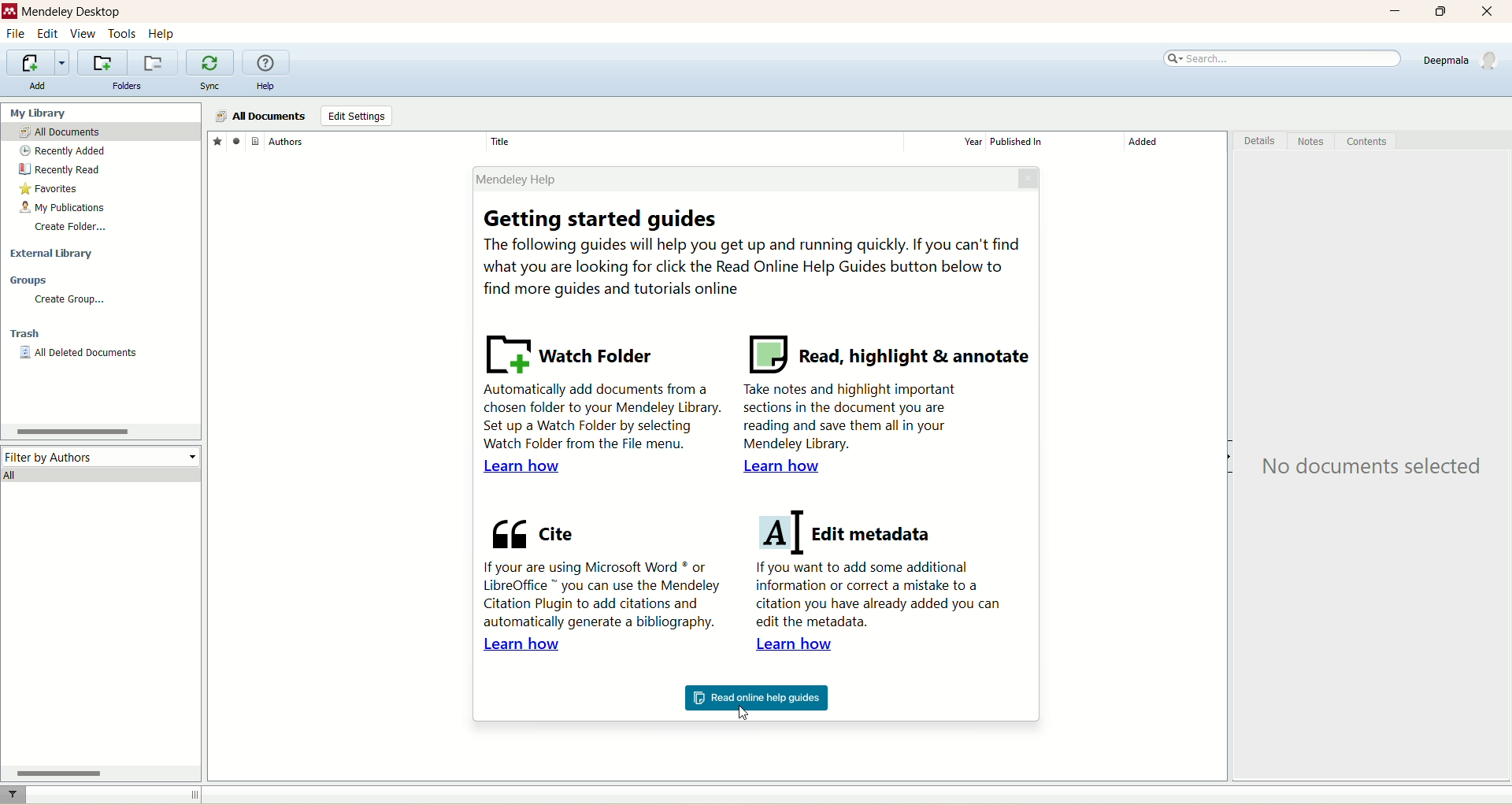  What do you see at coordinates (15, 33) in the screenshot?
I see `file` at bounding box center [15, 33].